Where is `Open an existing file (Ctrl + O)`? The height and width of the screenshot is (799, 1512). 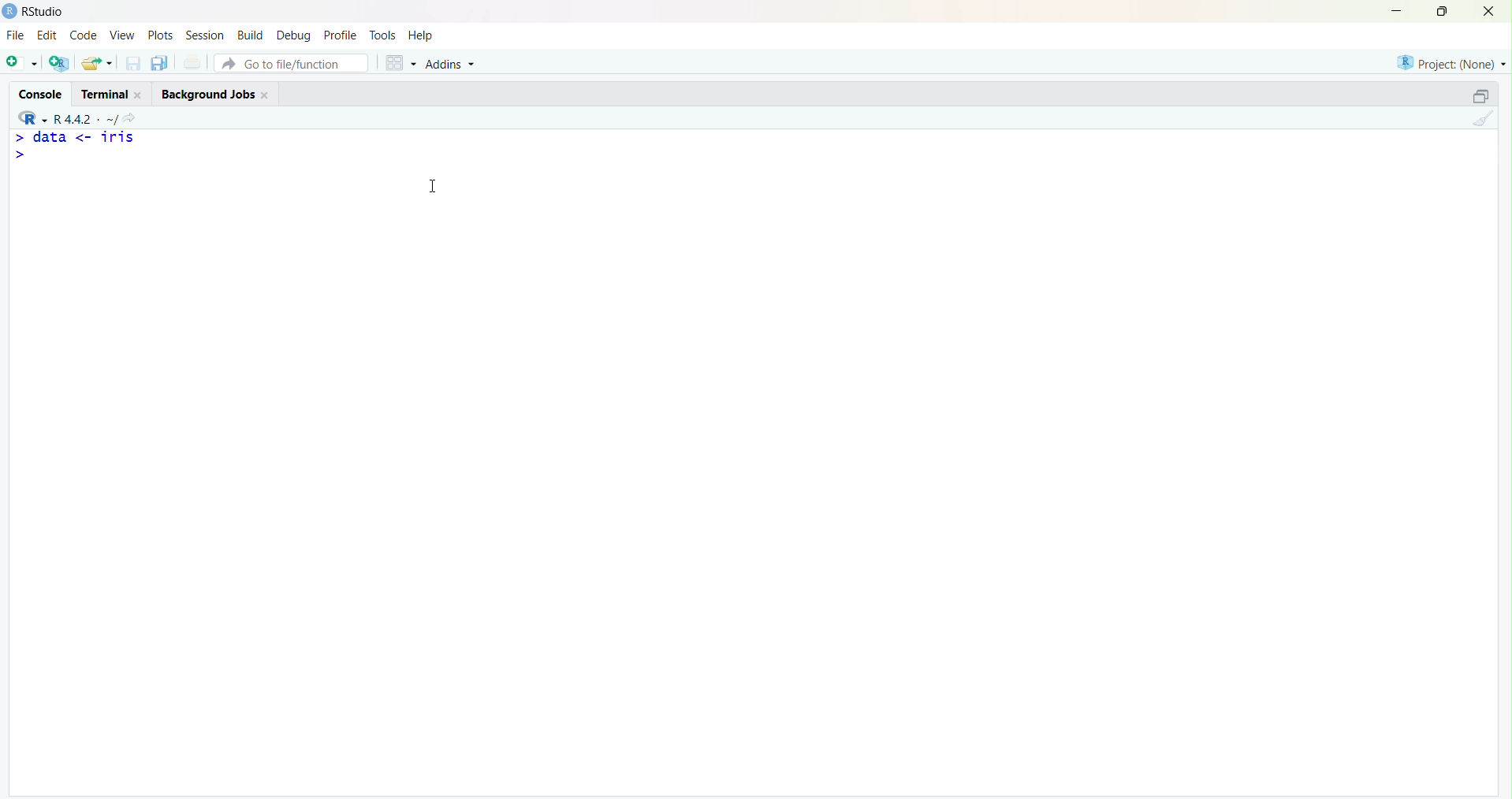 Open an existing file (Ctrl + O) is located at coordinates (99, 63).